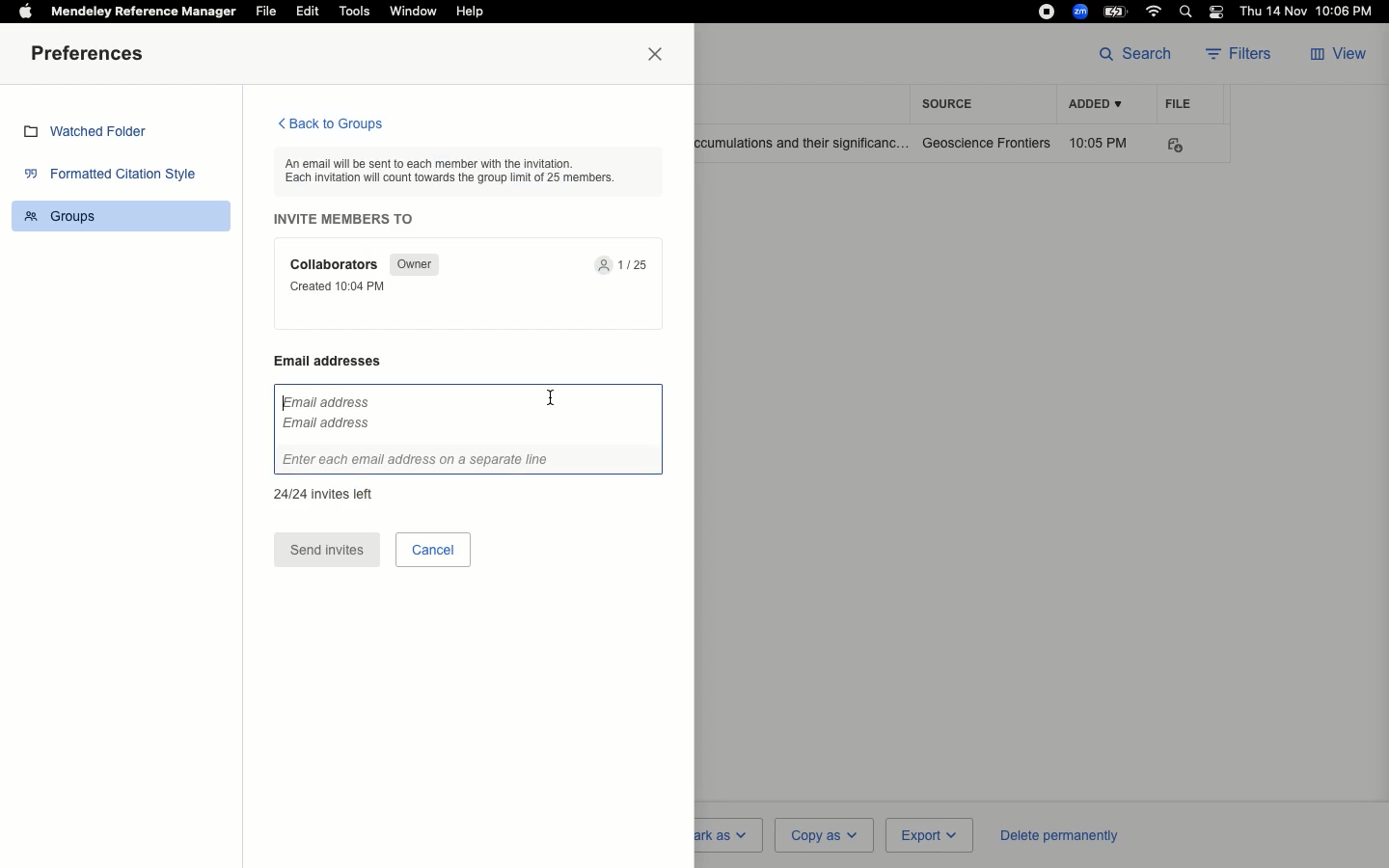 The width and height of the screenshot is (1389, 868). Describe the element at coordinates (1118, 11) in the screenshot. I see `Charge` at that location.